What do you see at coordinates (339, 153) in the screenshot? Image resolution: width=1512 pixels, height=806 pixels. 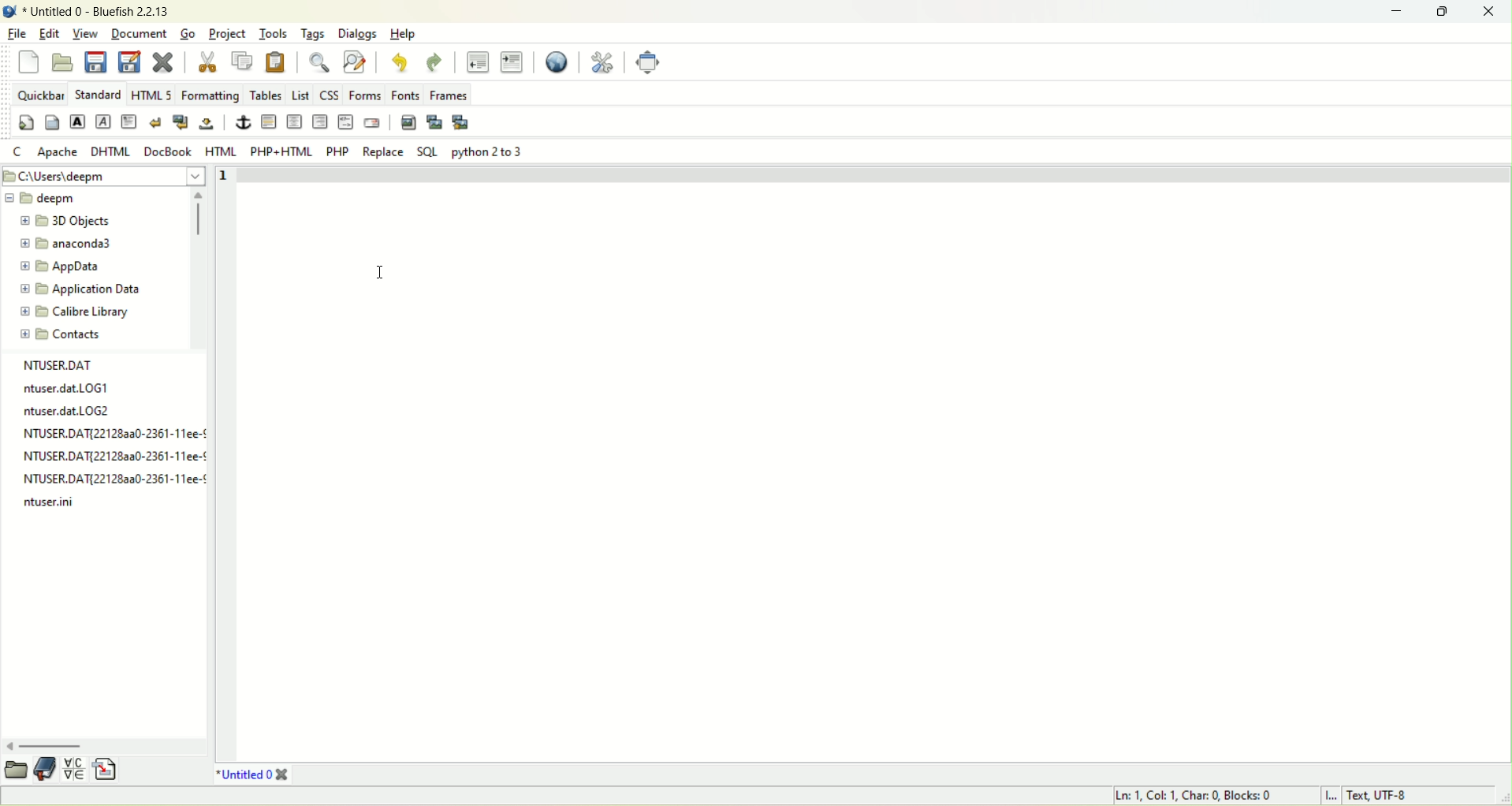 I see `PHP` at bounding box center [339, 153].